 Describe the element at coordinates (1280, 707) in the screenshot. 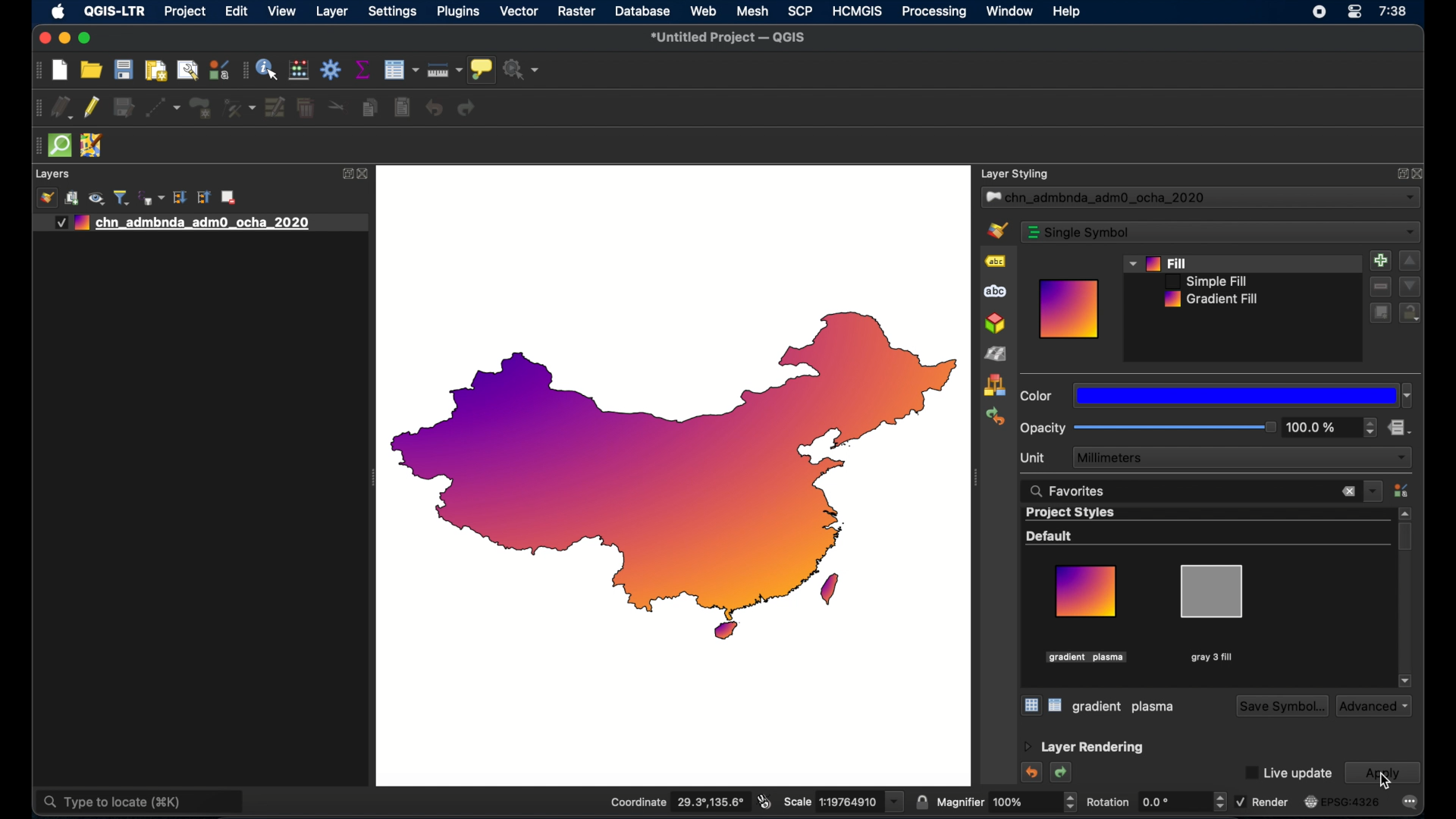

I see `save symbol` at that location.